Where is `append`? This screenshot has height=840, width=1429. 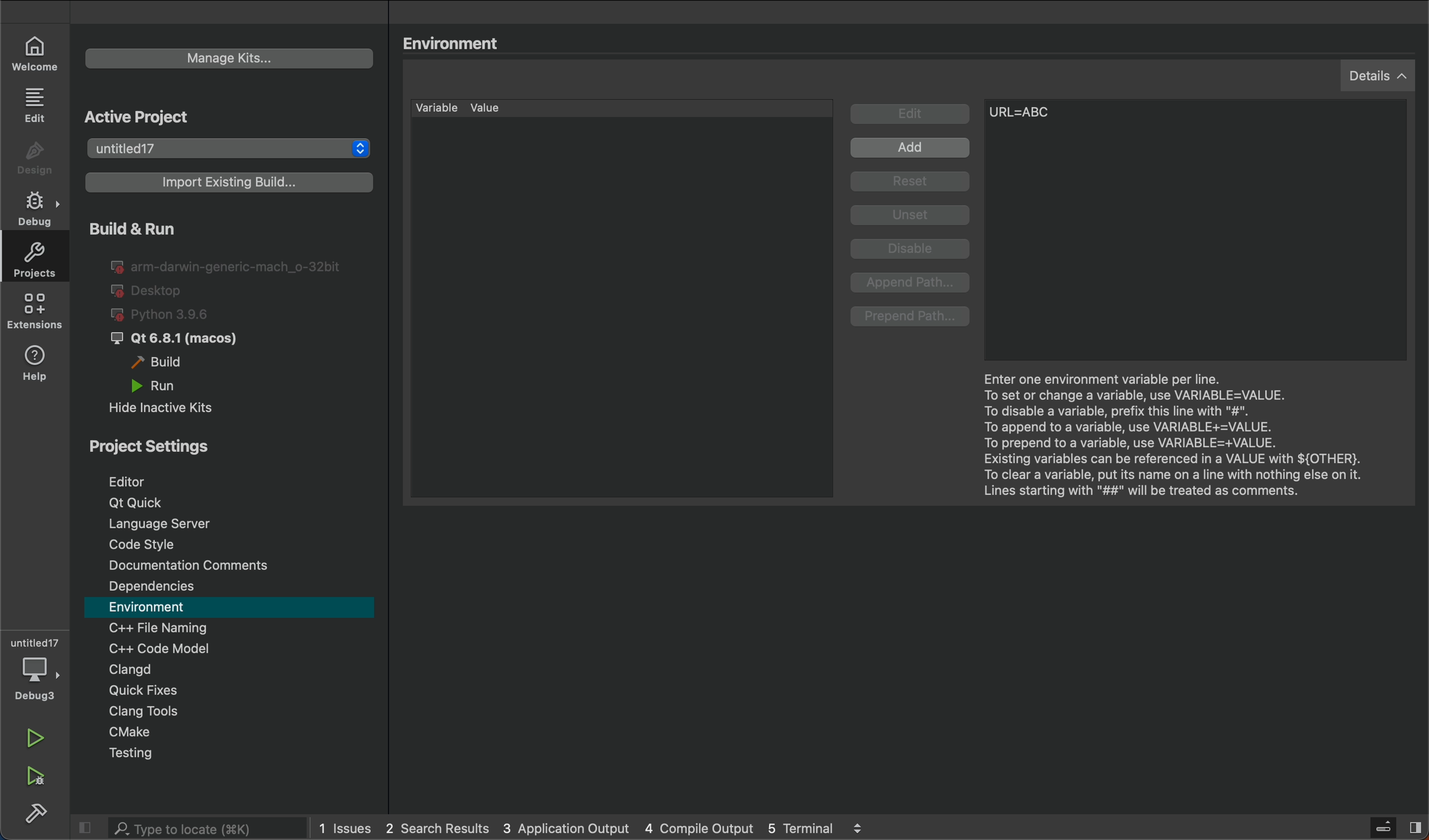
append is located at coordinates (912, 283).